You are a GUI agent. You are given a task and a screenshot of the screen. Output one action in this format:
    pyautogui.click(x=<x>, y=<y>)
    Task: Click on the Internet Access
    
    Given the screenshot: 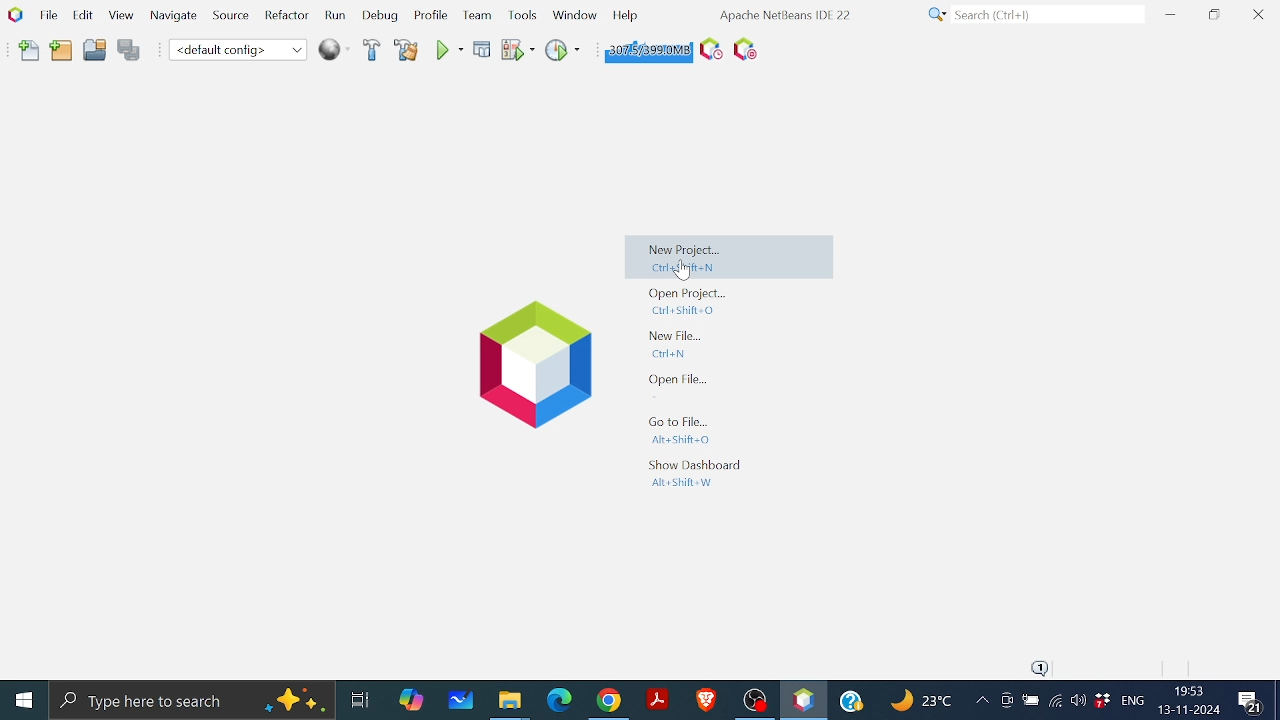 What is the action you would take?
    pyautogui.click(x=1054, y=703)
    